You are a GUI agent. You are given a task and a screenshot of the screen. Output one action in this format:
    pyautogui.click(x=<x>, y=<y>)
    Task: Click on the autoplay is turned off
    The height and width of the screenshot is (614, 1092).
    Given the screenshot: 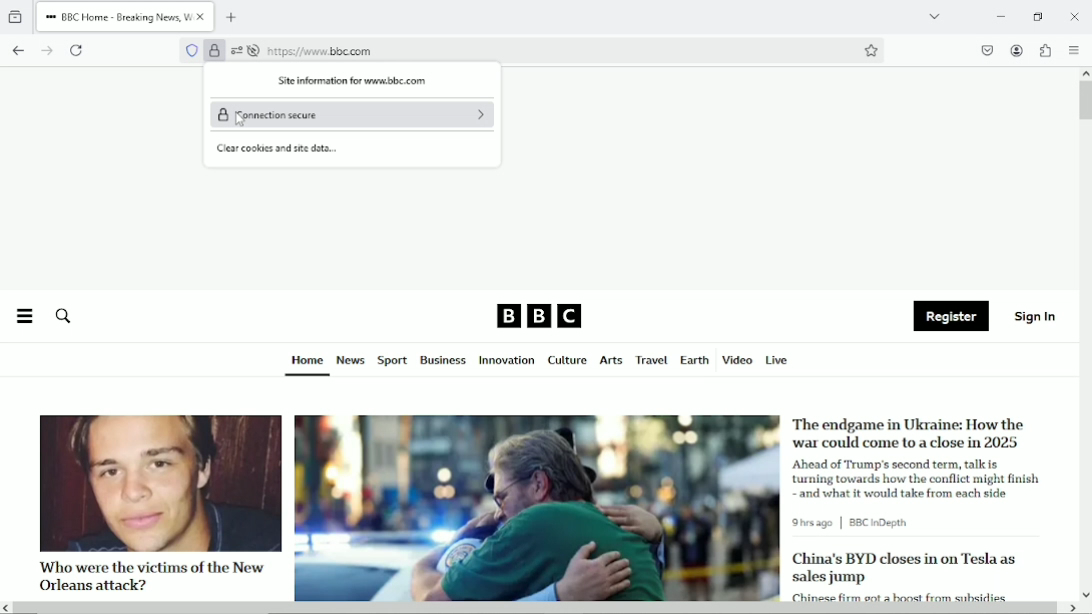 What is the action you would take?
    pyautogui.click(x=255, y=52)
    